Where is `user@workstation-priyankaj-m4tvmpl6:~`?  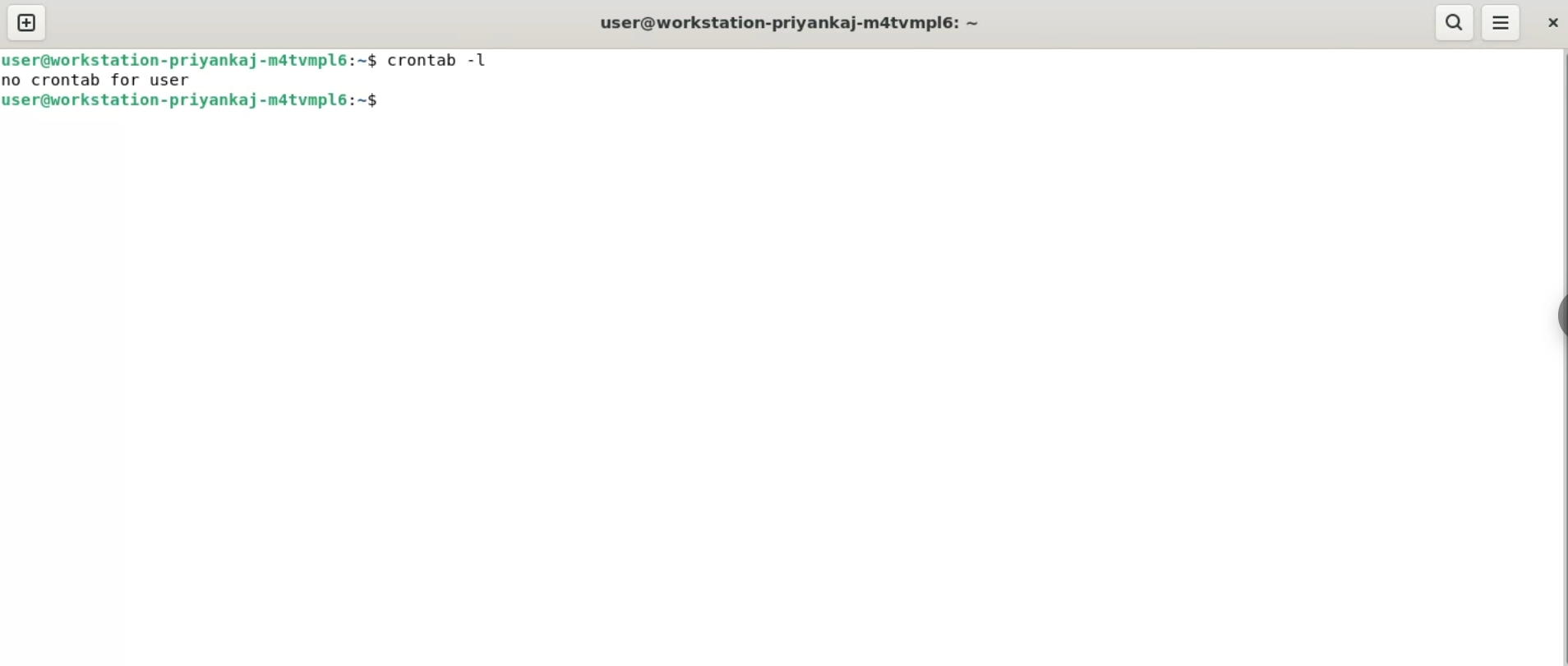
user@workstation-priyankaj-m4tvmpl6:~ is located at coordinates (790, 22).